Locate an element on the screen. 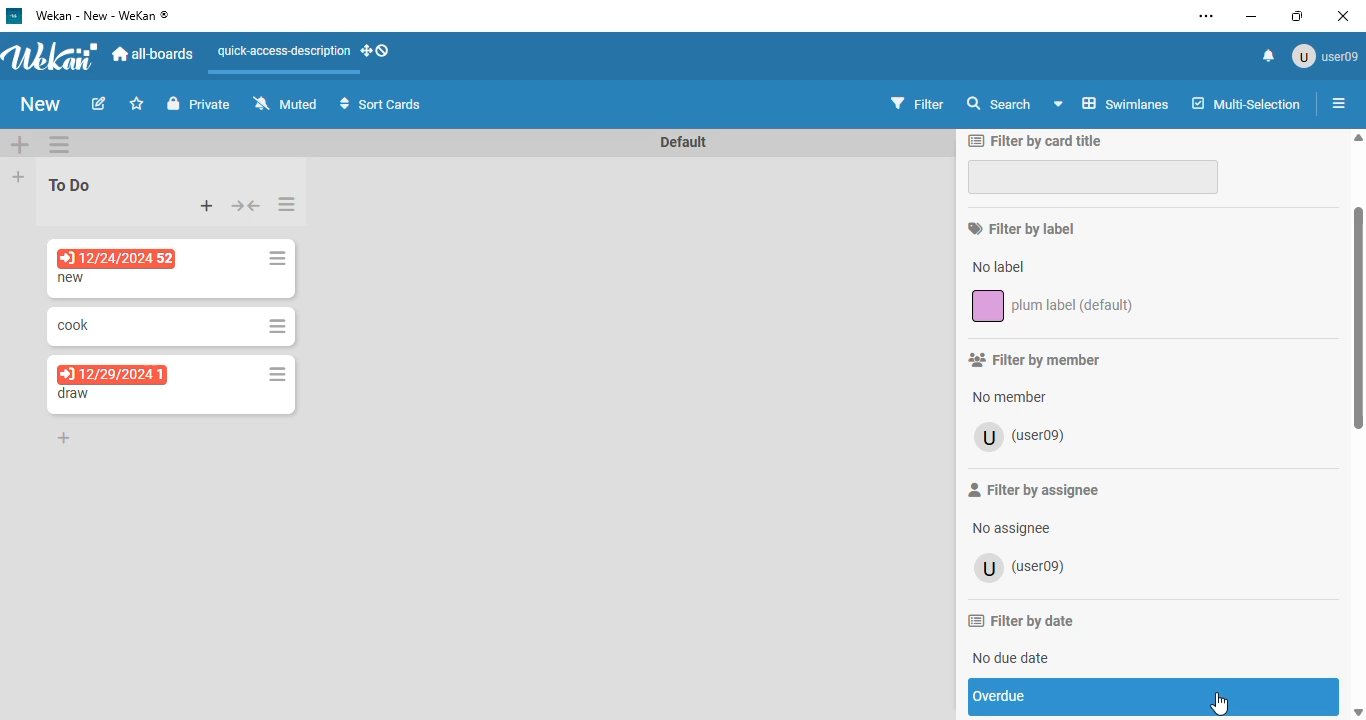  filter by assignee is located at coordinates (1033, 490).